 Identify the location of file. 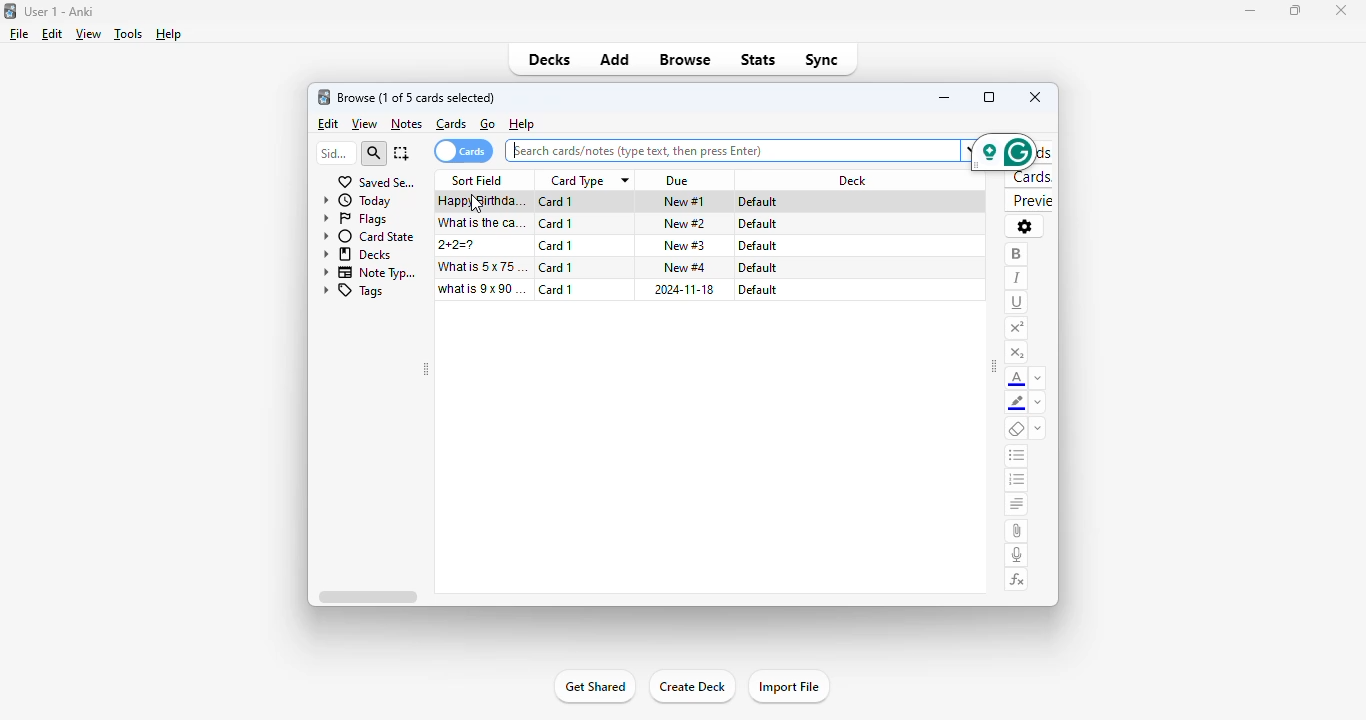
(19, 34).